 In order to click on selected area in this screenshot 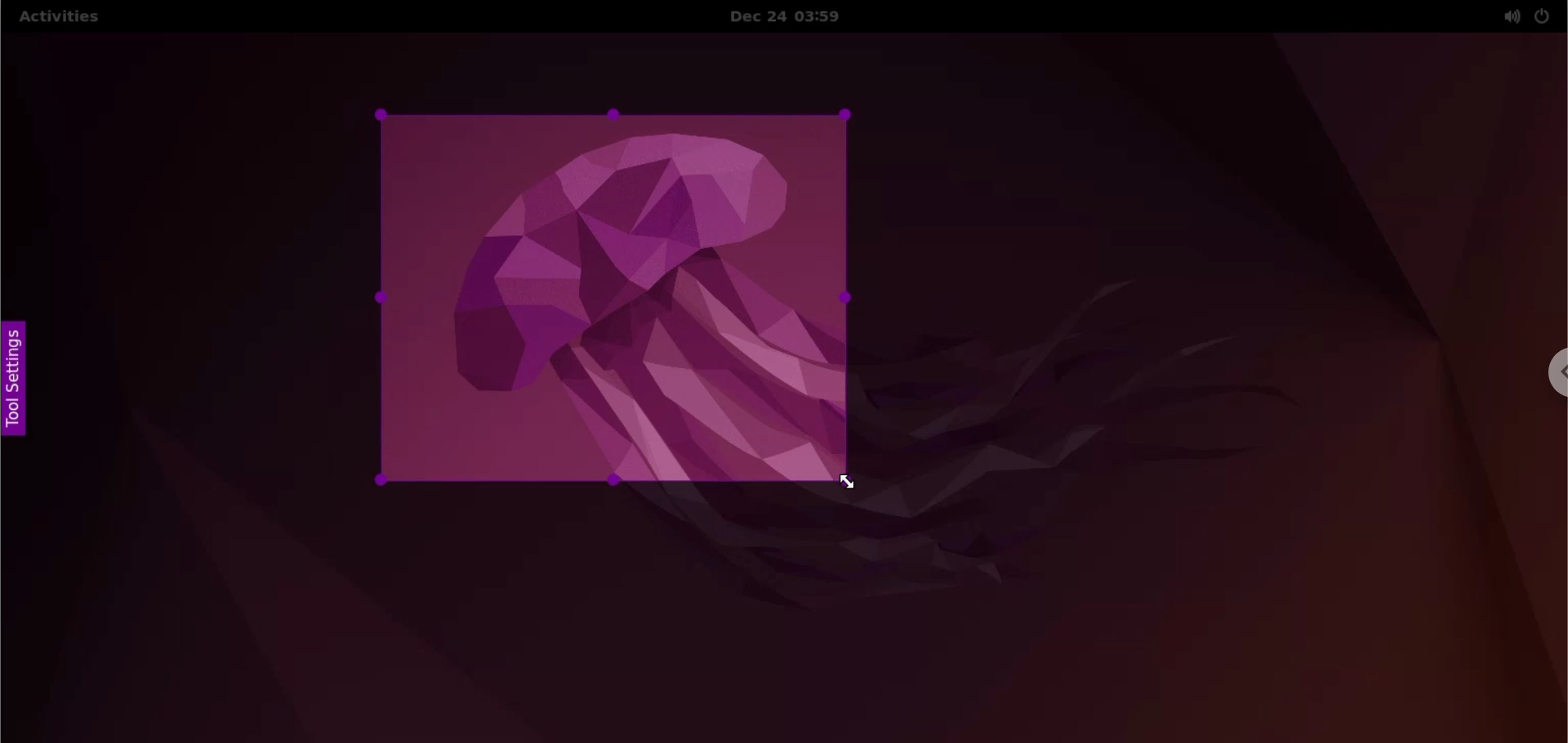, I will do `click(615, 300)`.